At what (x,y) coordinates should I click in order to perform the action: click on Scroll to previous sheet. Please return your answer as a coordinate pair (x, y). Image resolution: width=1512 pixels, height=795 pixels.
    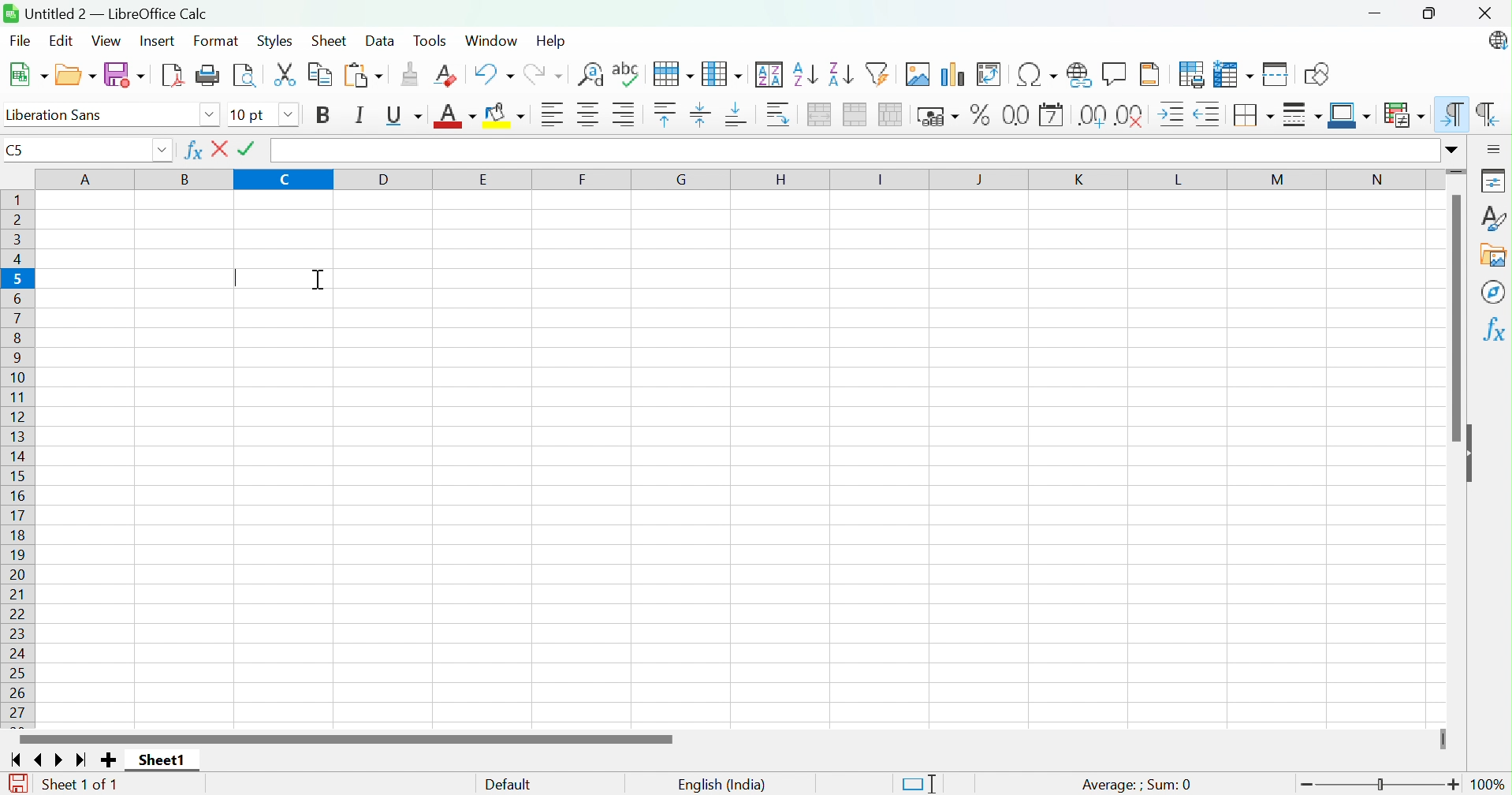
    Looking at the image, I should click on (41, 760).